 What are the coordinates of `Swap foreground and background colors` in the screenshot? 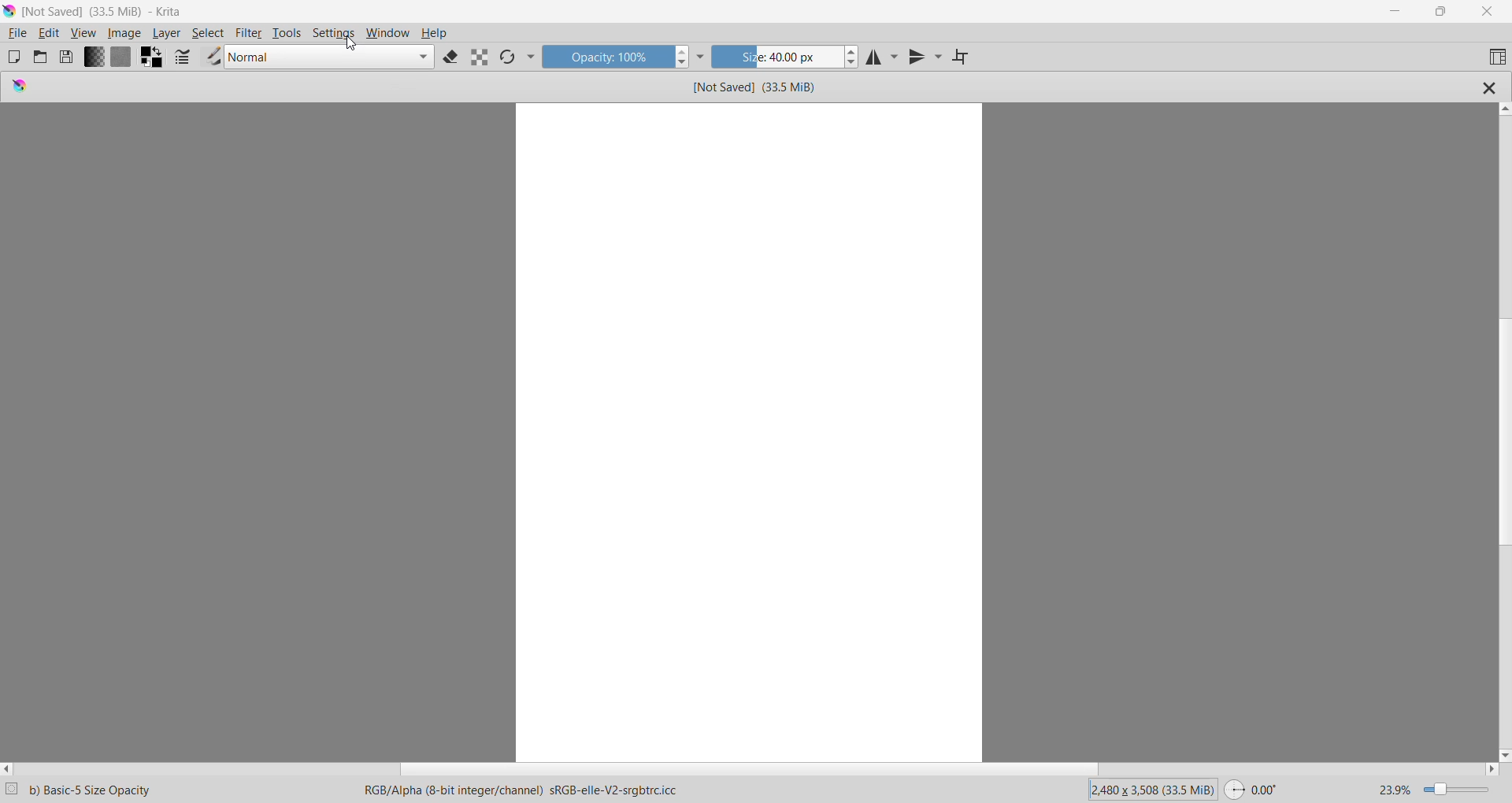 It's located at (152, 57).